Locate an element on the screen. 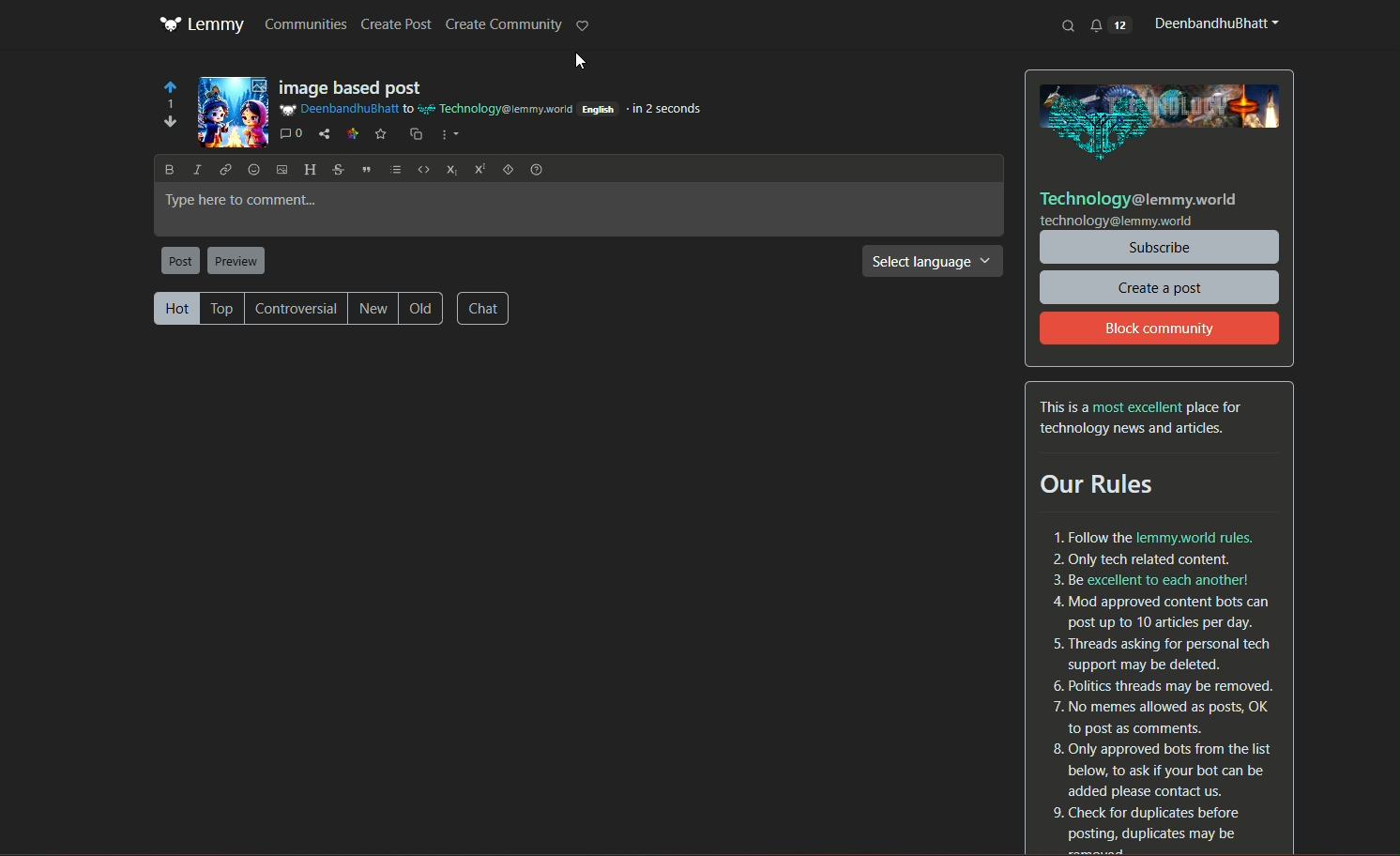 This screenshot has height=856, width=1400. 3. Be excellent to each another! is located at coordinates (1150, 579).